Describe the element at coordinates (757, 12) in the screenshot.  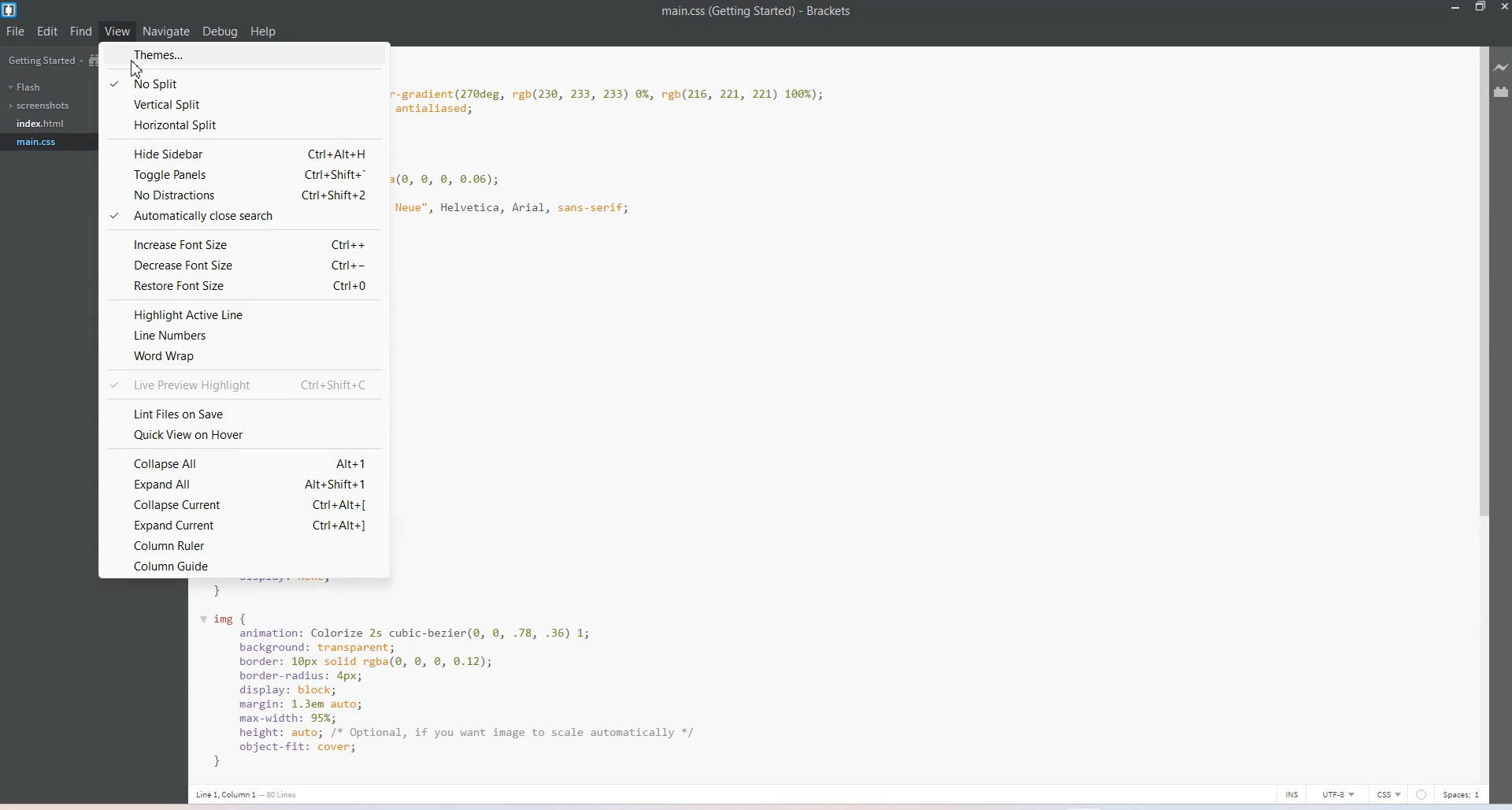
I see `File name` at that location.